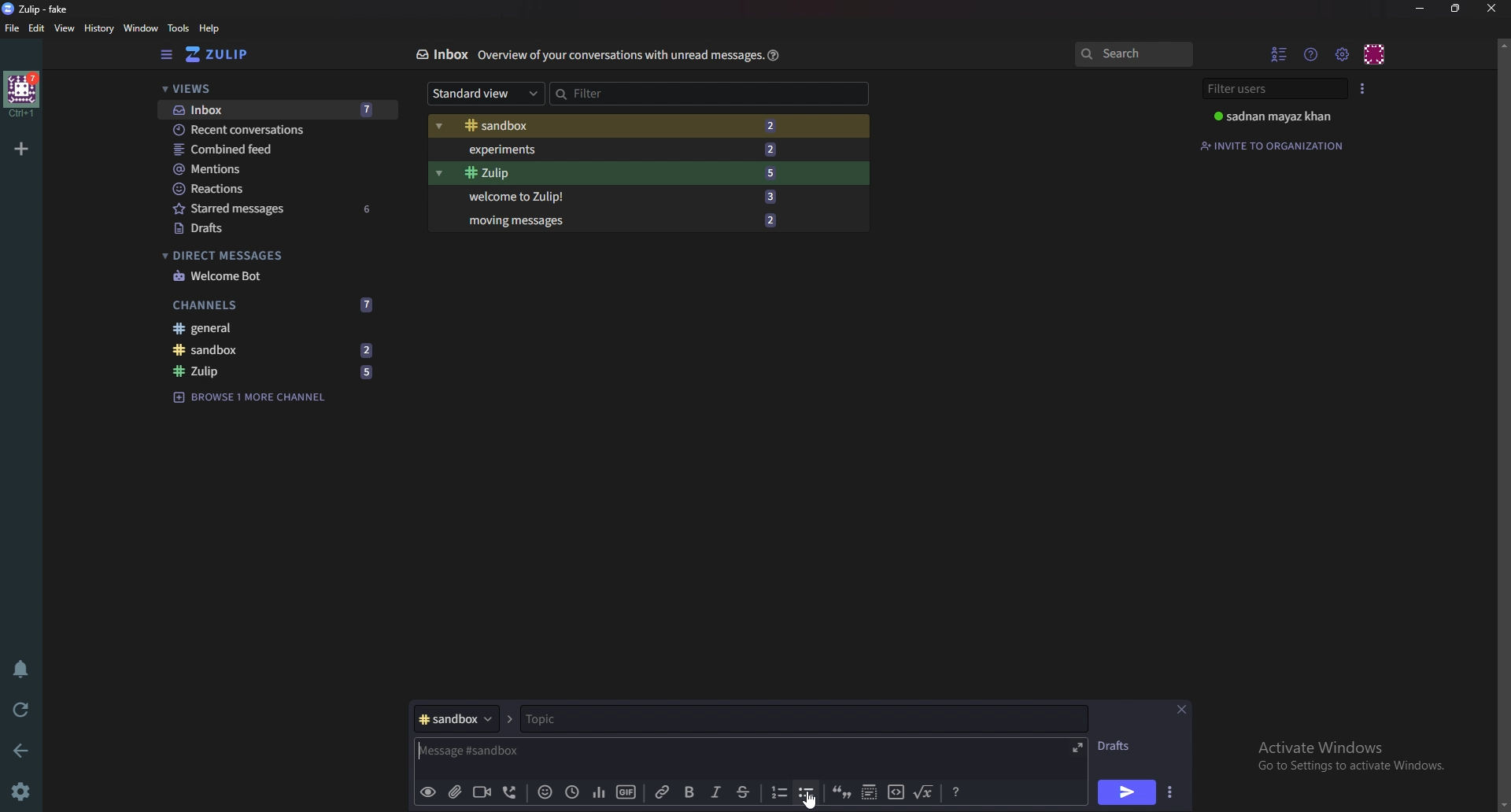 This screenshot has width=1511, height=812. Describe the element at coordinates (274, 305) in the screenshot. I see `Channels` at that location.